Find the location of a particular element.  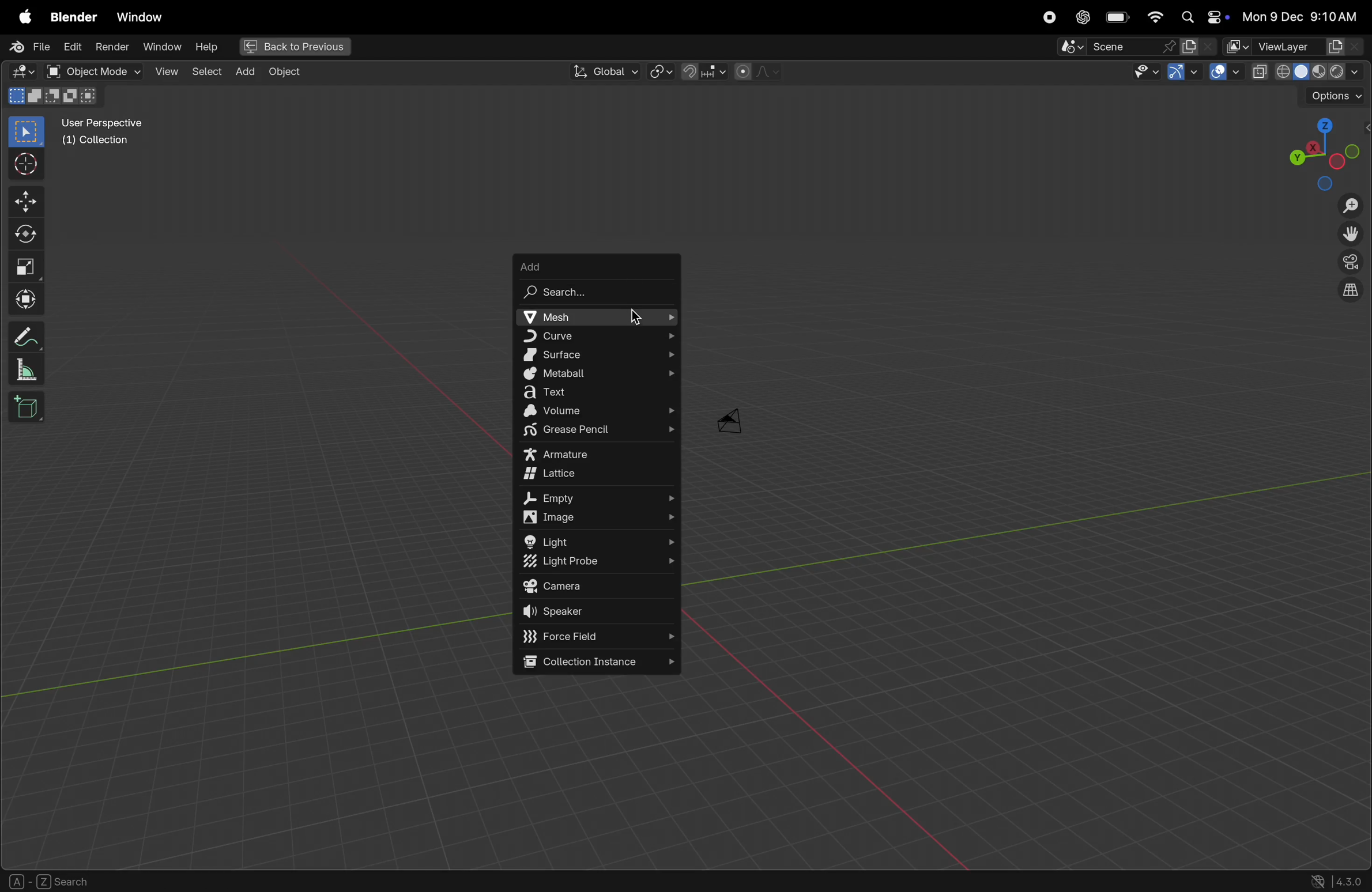

light probe is located at coordinates (594, 563).